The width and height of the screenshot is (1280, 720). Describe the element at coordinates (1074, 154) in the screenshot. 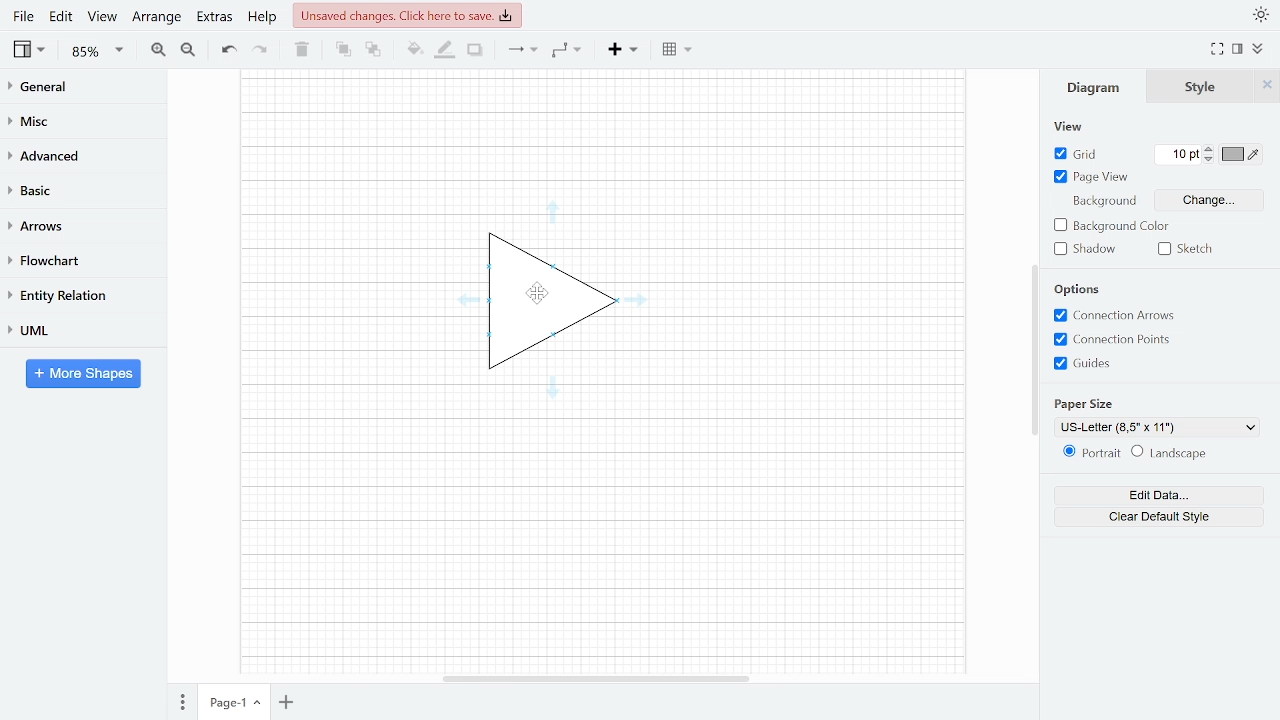

I see `Grid` at that location.